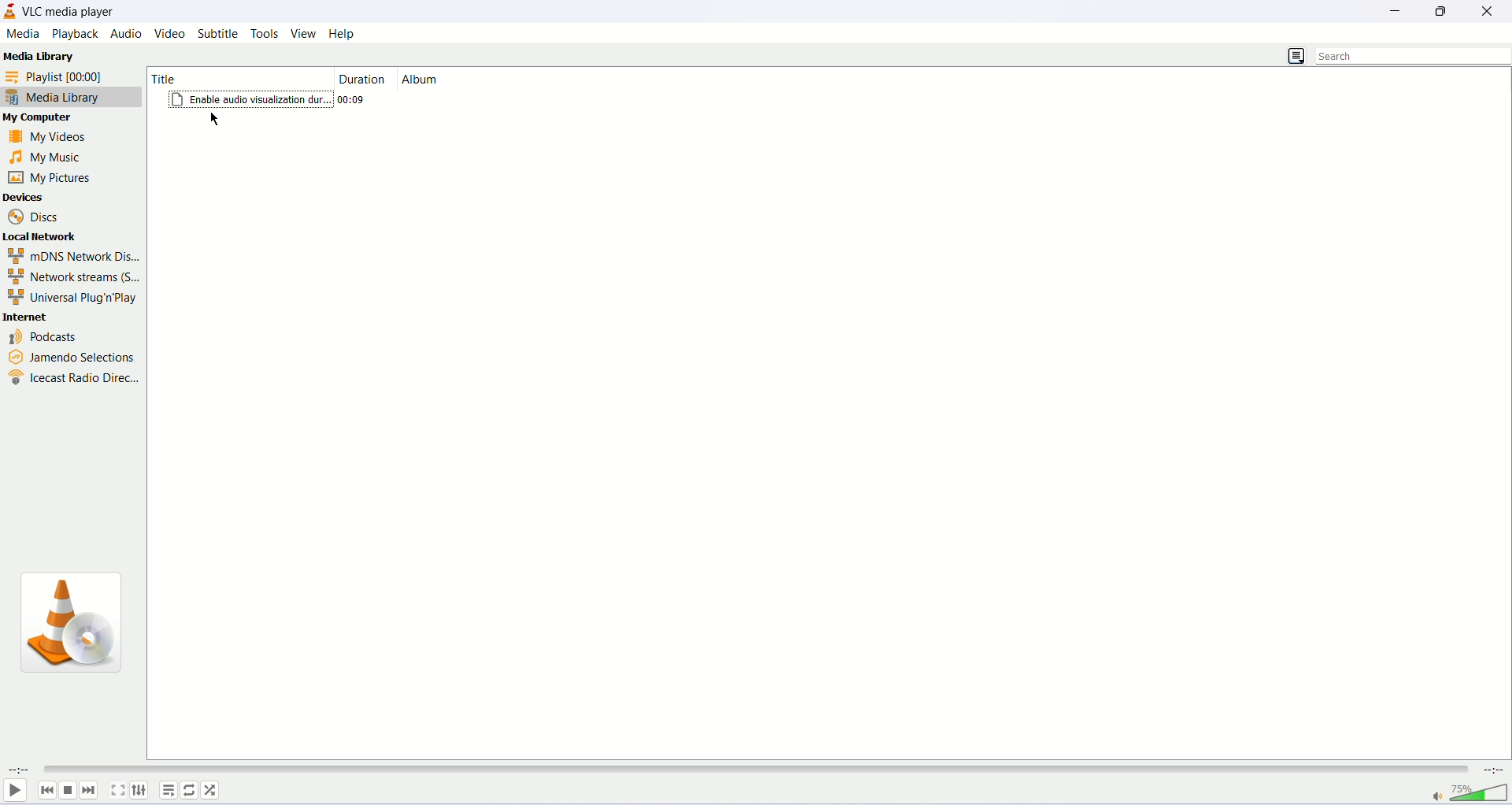 This screenshot has width=1512, height=805. What do you see at coordinates (303, 33) in the screenshot?
I see `view` at bounding box center [303, 33].